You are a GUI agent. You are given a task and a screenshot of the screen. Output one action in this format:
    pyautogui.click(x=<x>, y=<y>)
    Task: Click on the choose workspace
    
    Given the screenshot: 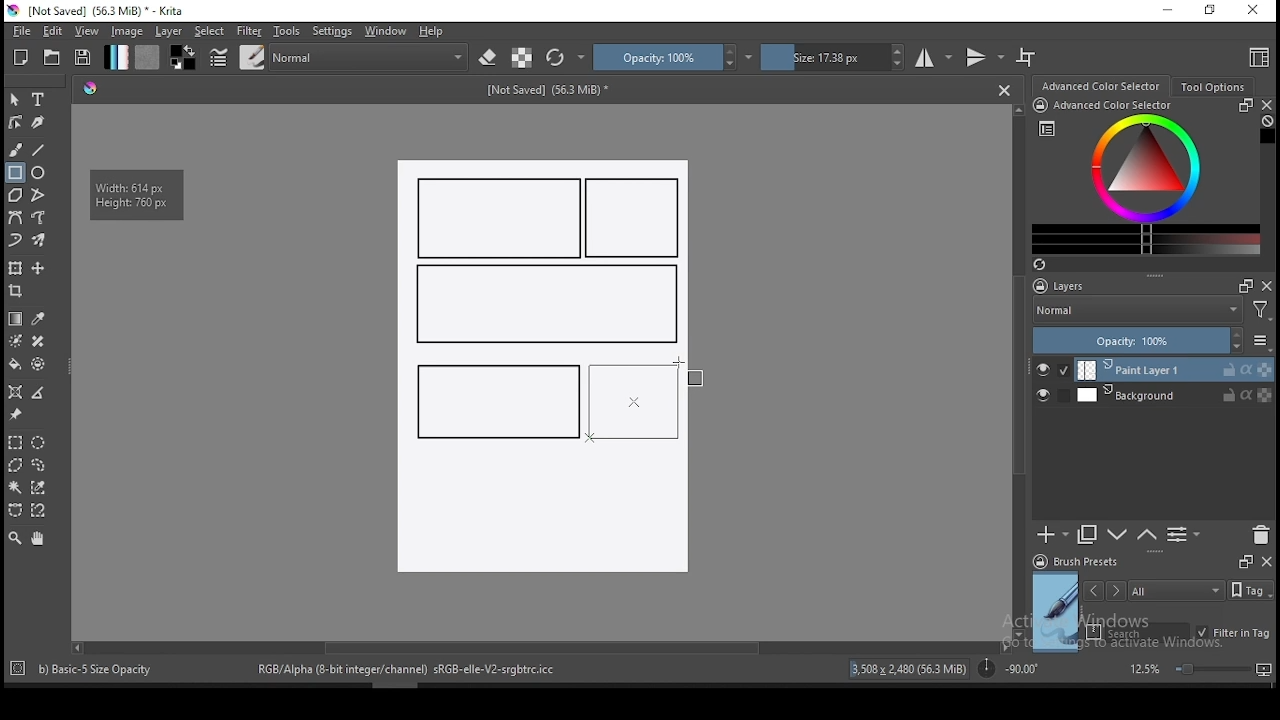 What is the action you would take?
    pyautogui.click(x=1257, y=57)
    